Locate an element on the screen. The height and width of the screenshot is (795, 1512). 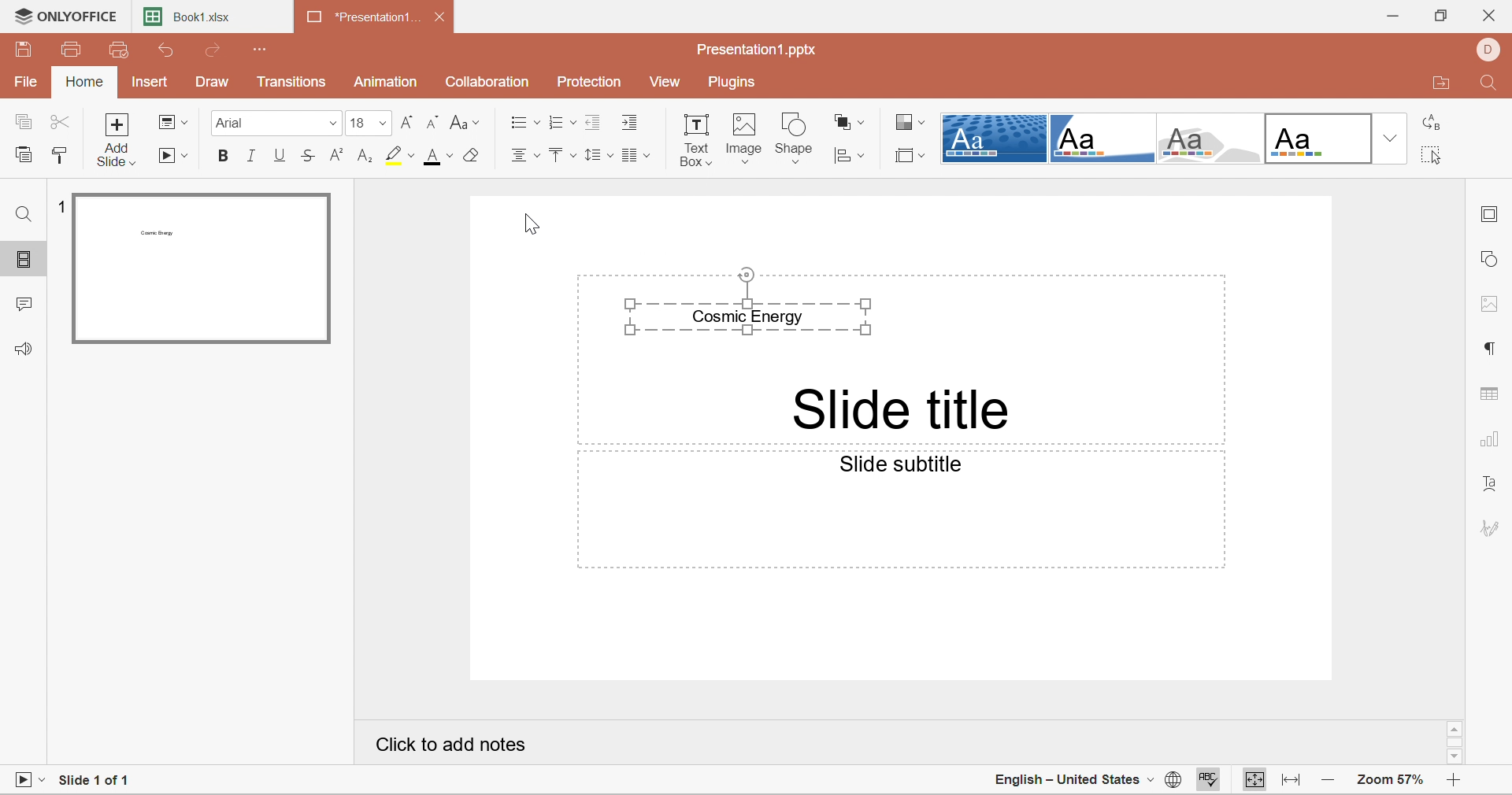
Fit to slide is located at coordinates (1251, 780).